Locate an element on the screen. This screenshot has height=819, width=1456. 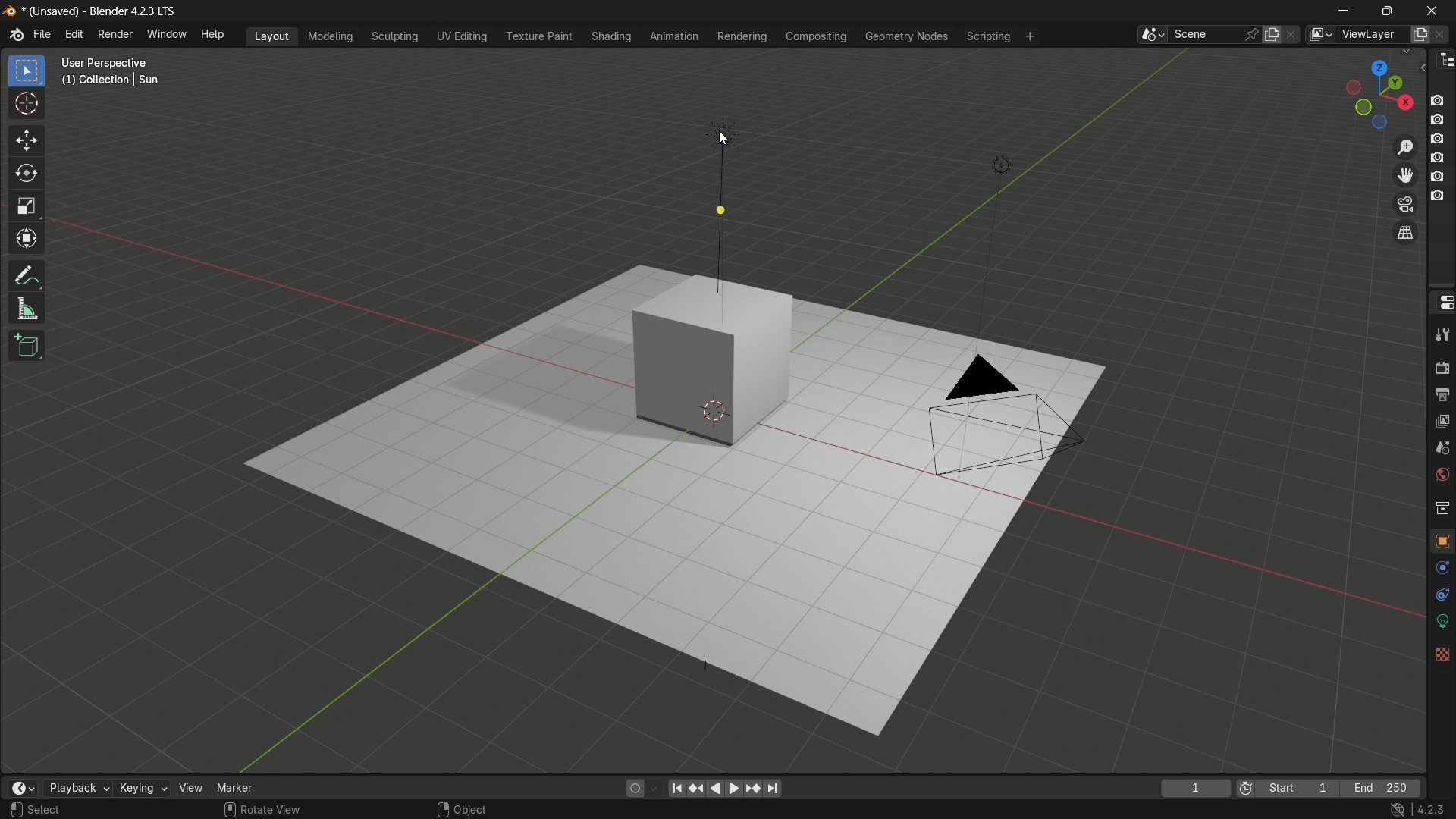
cursor is located at coordinates (723, 139).